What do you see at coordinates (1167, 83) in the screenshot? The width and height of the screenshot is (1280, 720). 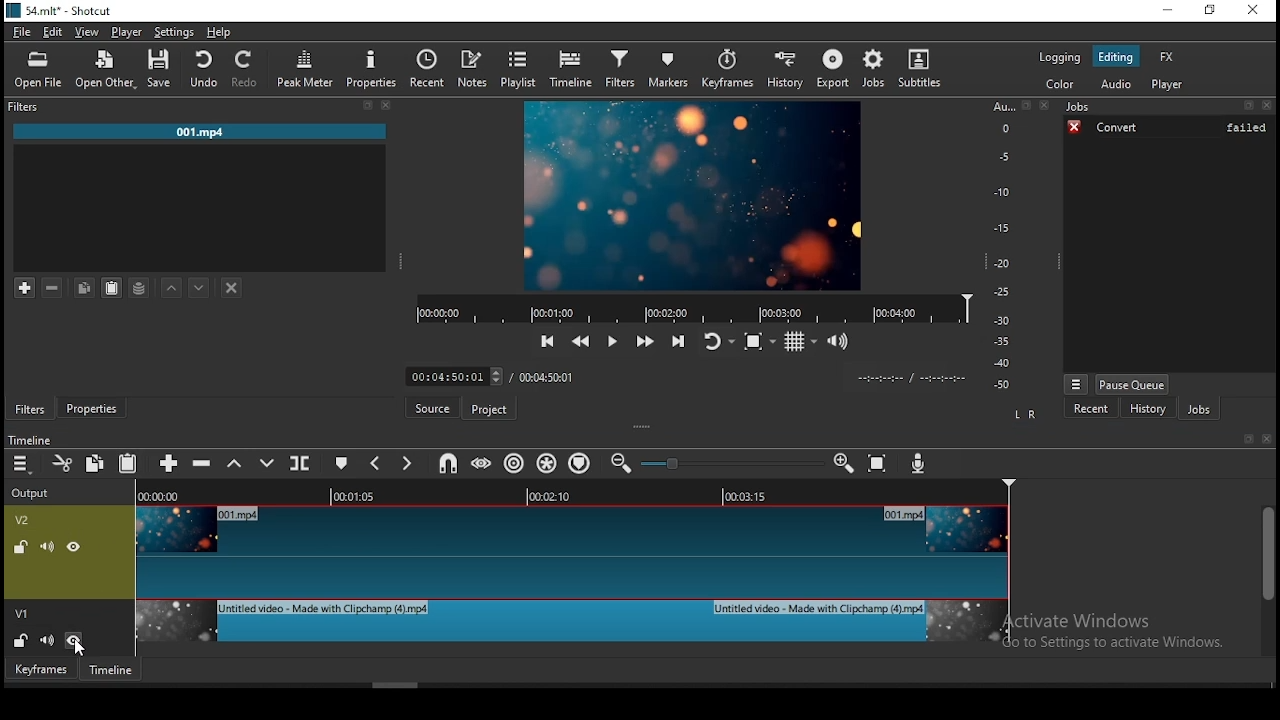 I see `player` at bounding box center [1167, 83].